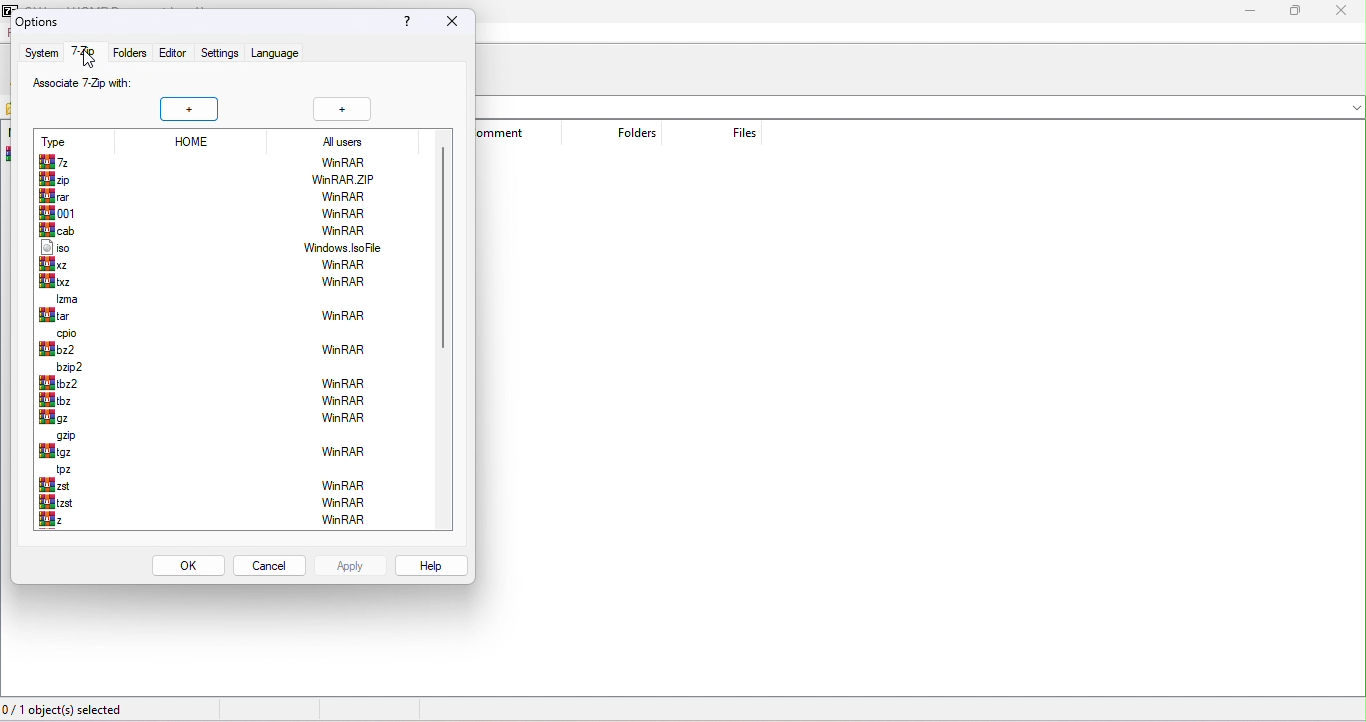 This screenshot has width=1366, height=722. I want to click on winRAR, so click(349, 162).